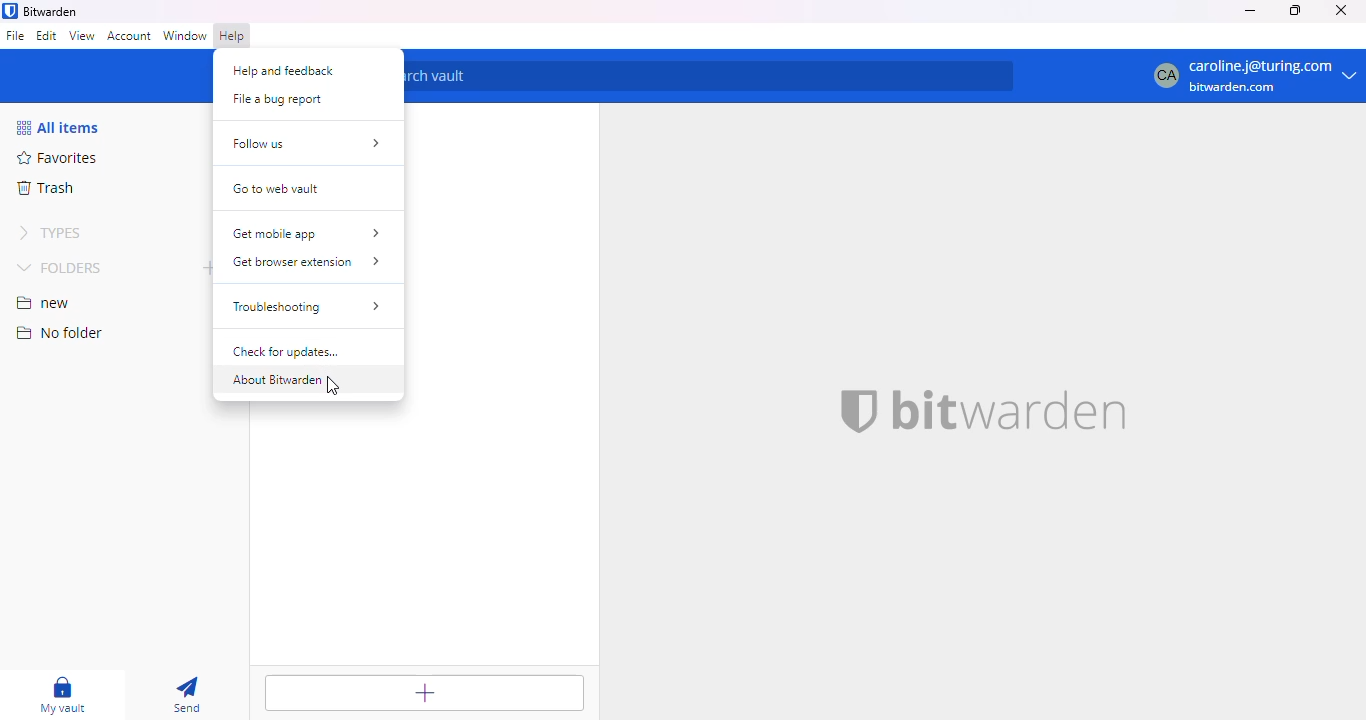 This screenshot has height=720, width=1366. Describe the element at coordinates (52, 11) in the screenshot. I see `bitwarden` at that location.